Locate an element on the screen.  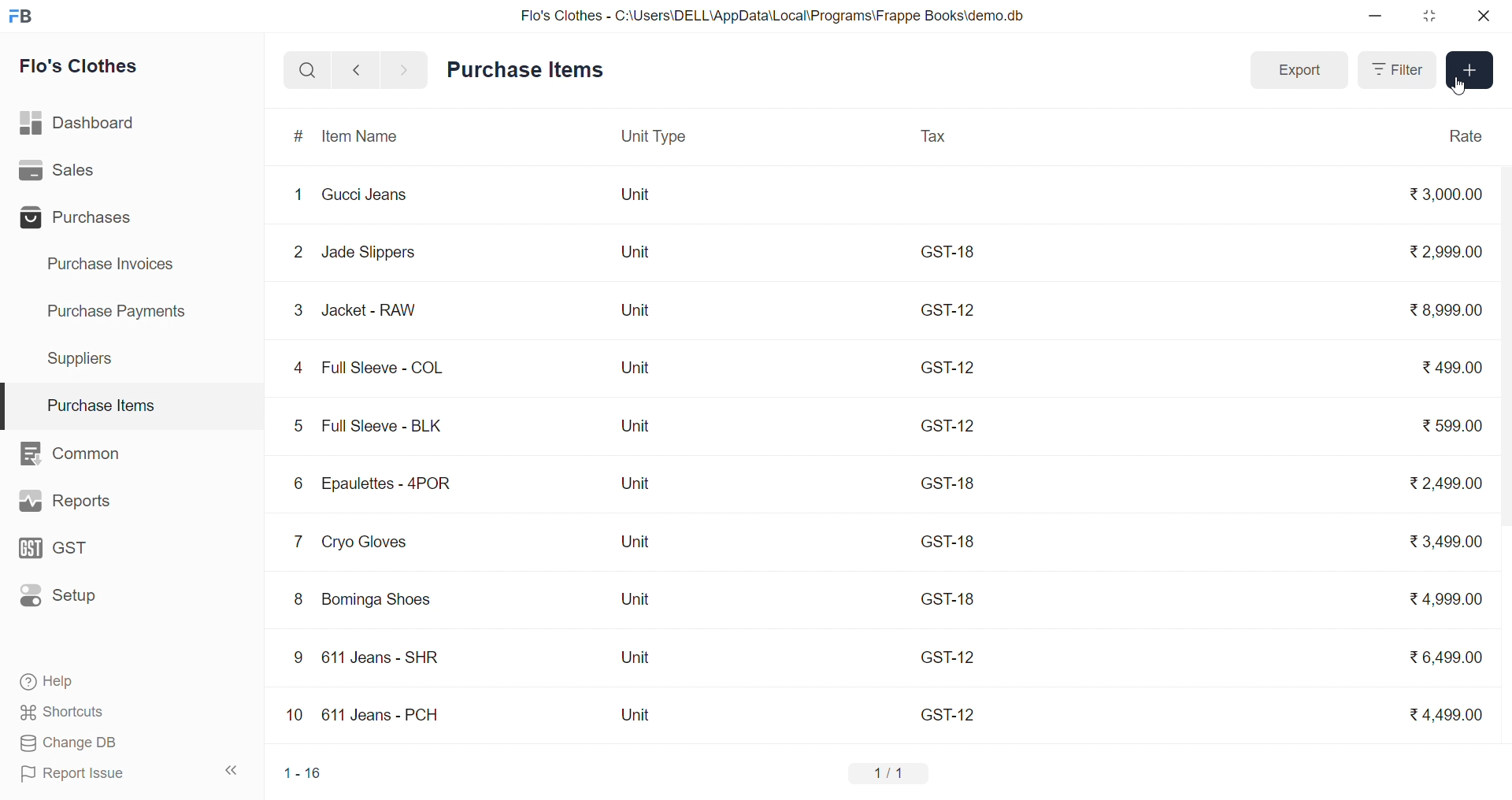
Purchase Invoices is located at coordinates (121, 265).